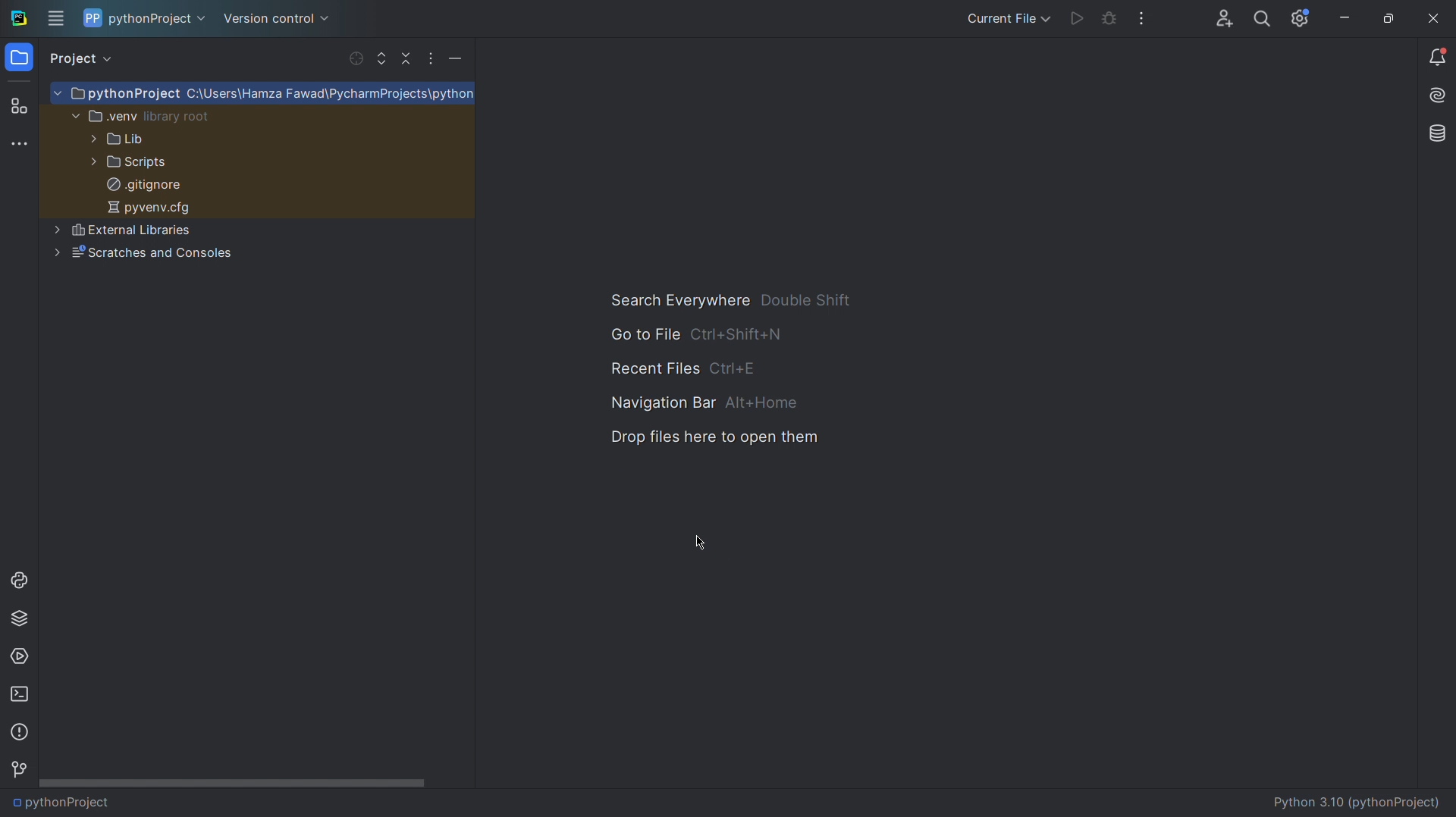  I want to click on External Librarires, so click(124, 229).